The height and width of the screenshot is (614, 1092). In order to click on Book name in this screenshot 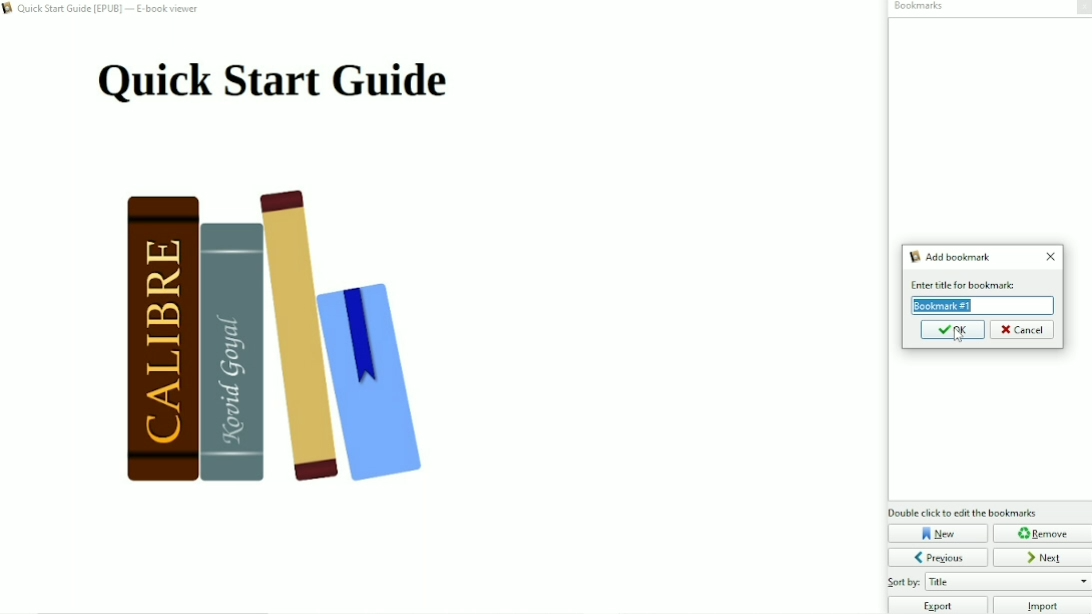, I will do `click(111, 10)`.